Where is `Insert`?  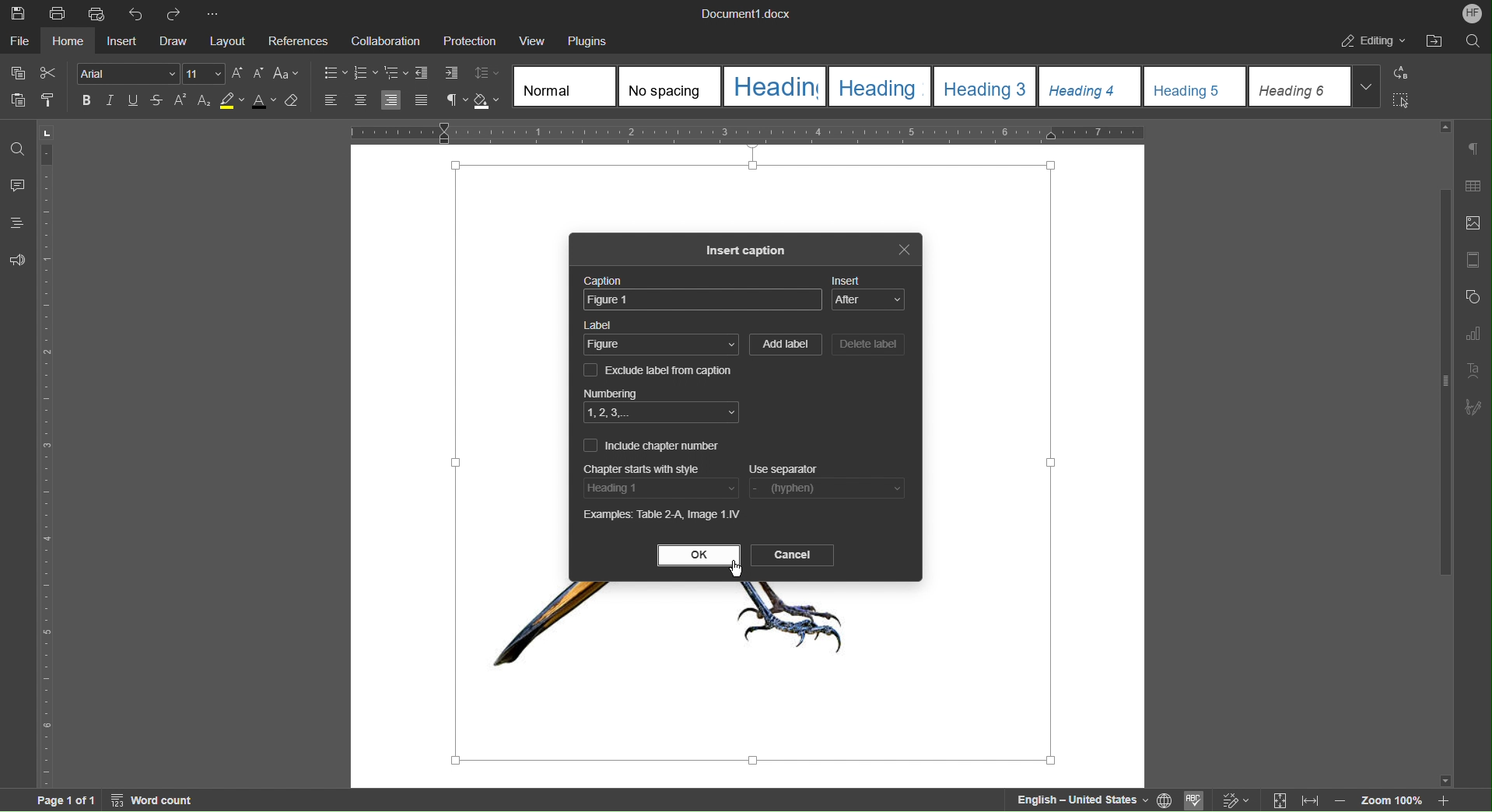 Insert is located at coordinates (119, 43).